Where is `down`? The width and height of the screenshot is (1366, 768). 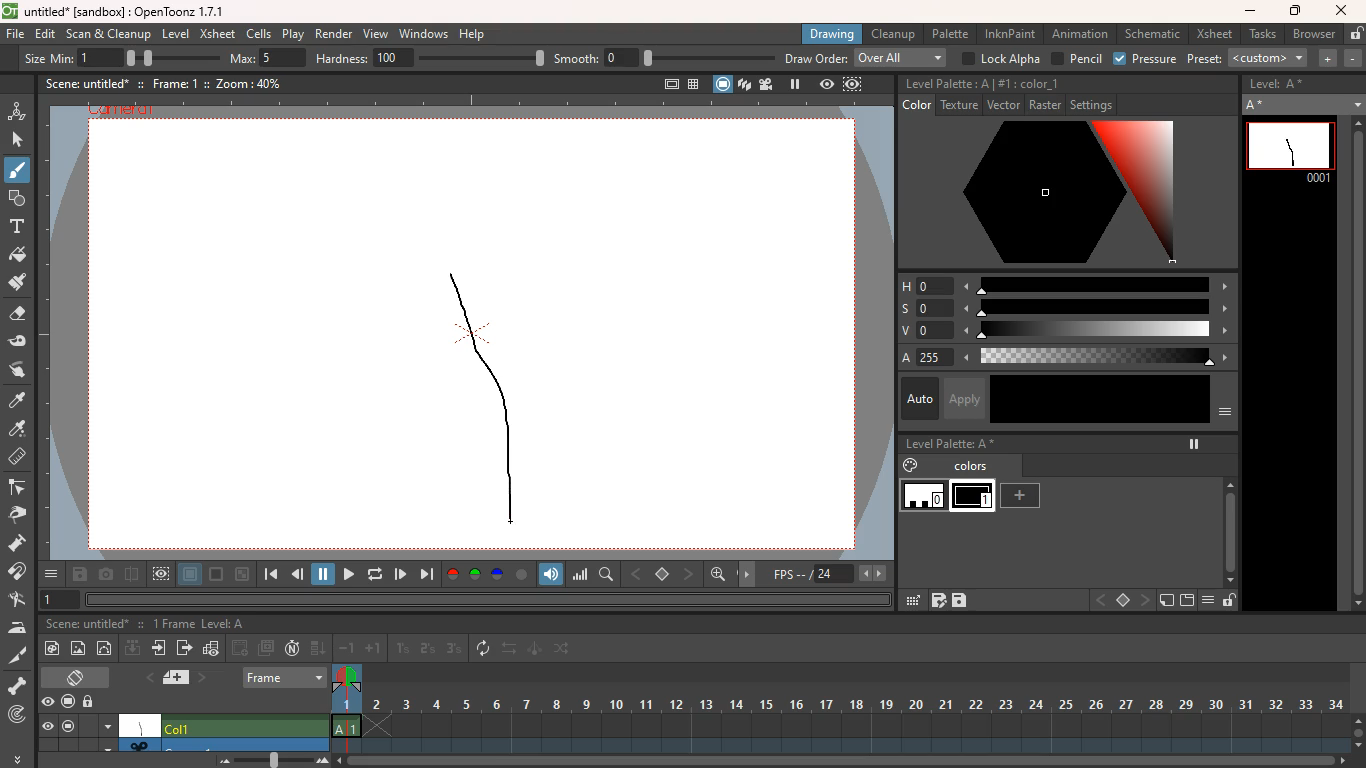
down is located at coordinates (318, 649).